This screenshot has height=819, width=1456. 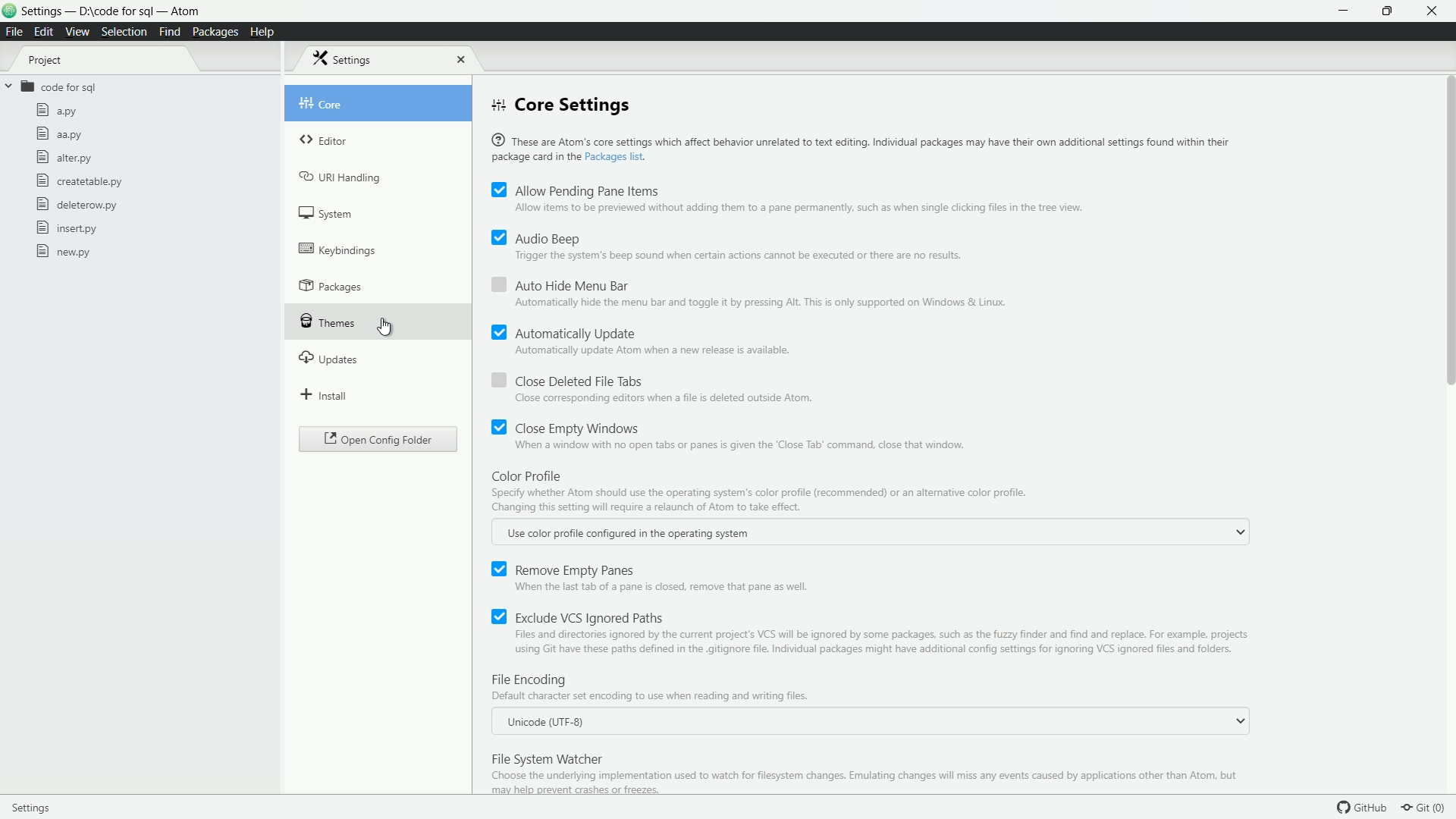 What do you see at coordinates (559, 283) in the screenshot?
I see `auto hide menu bar` at bounding box center [559, 283].